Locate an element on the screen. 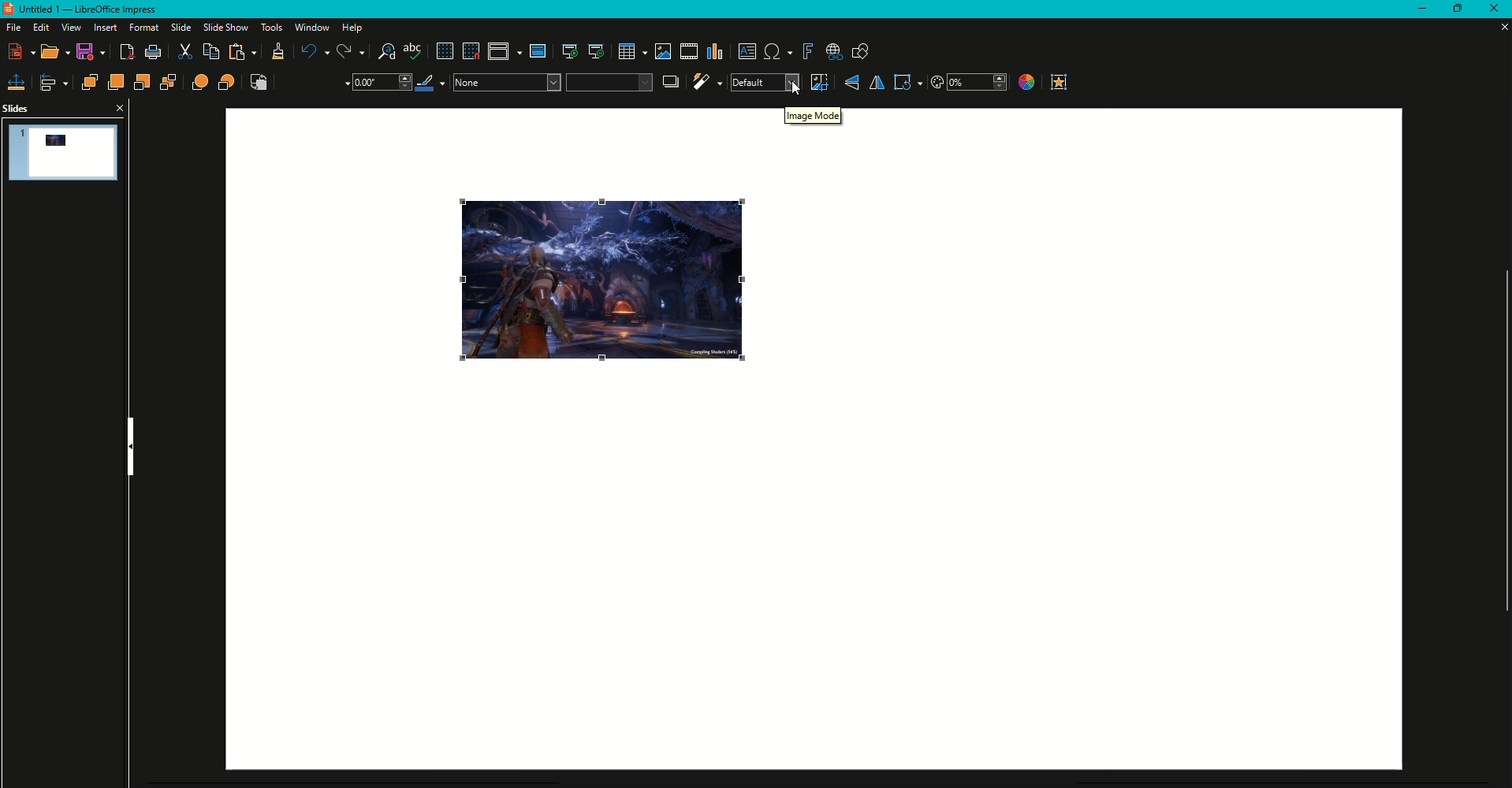 This screenshot has width=1512, height=788. Behind Object is located at coordinates (228, 82).